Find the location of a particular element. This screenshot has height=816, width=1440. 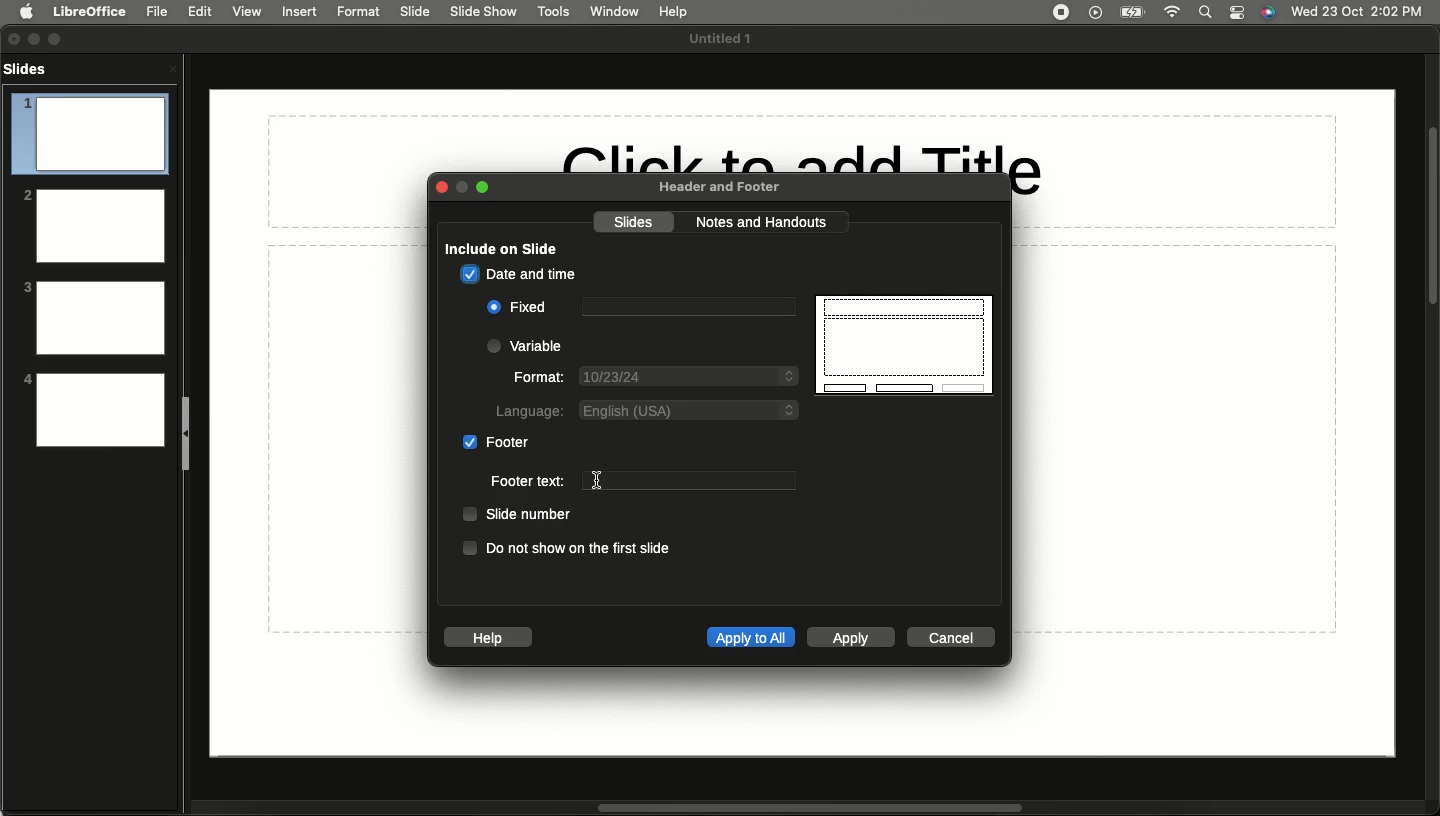

Close is located at coordinates (14, 39).